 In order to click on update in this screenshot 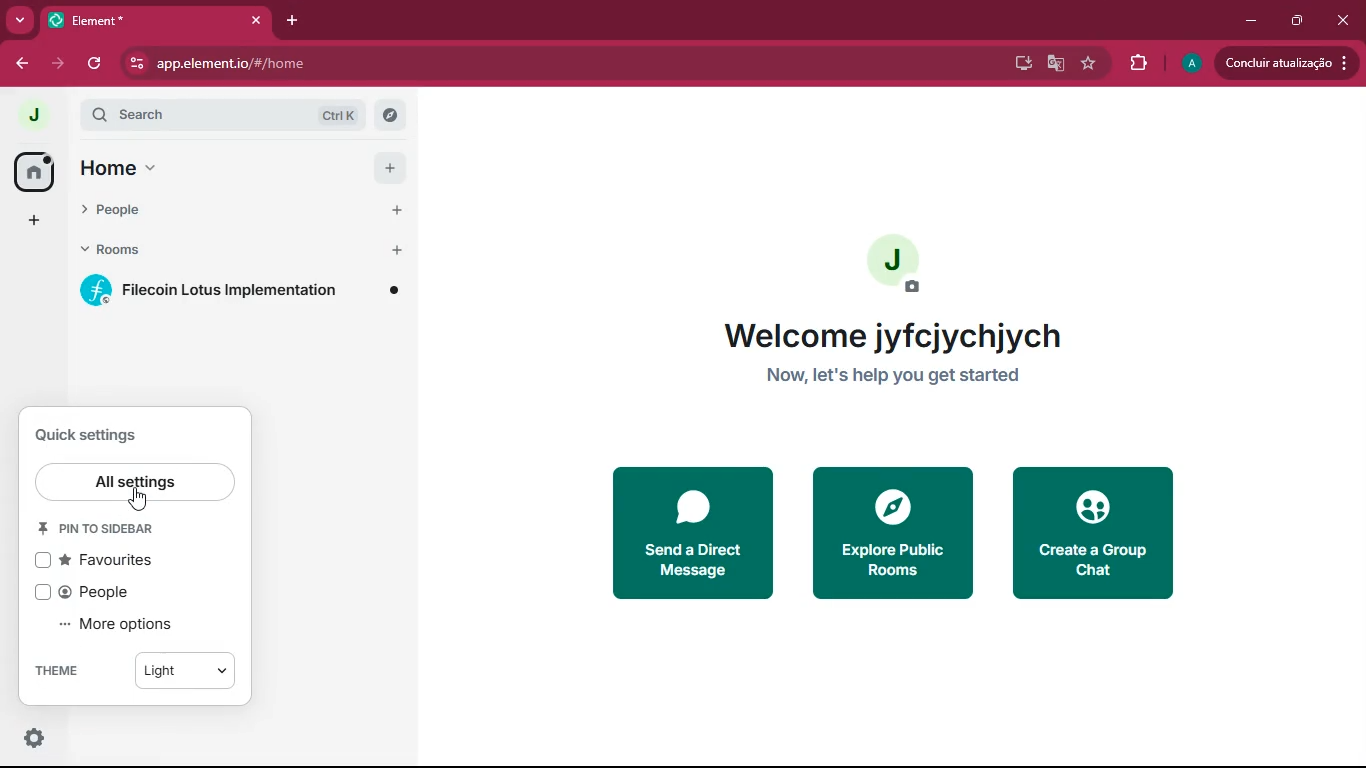, I will do `click(1286, 61)`.